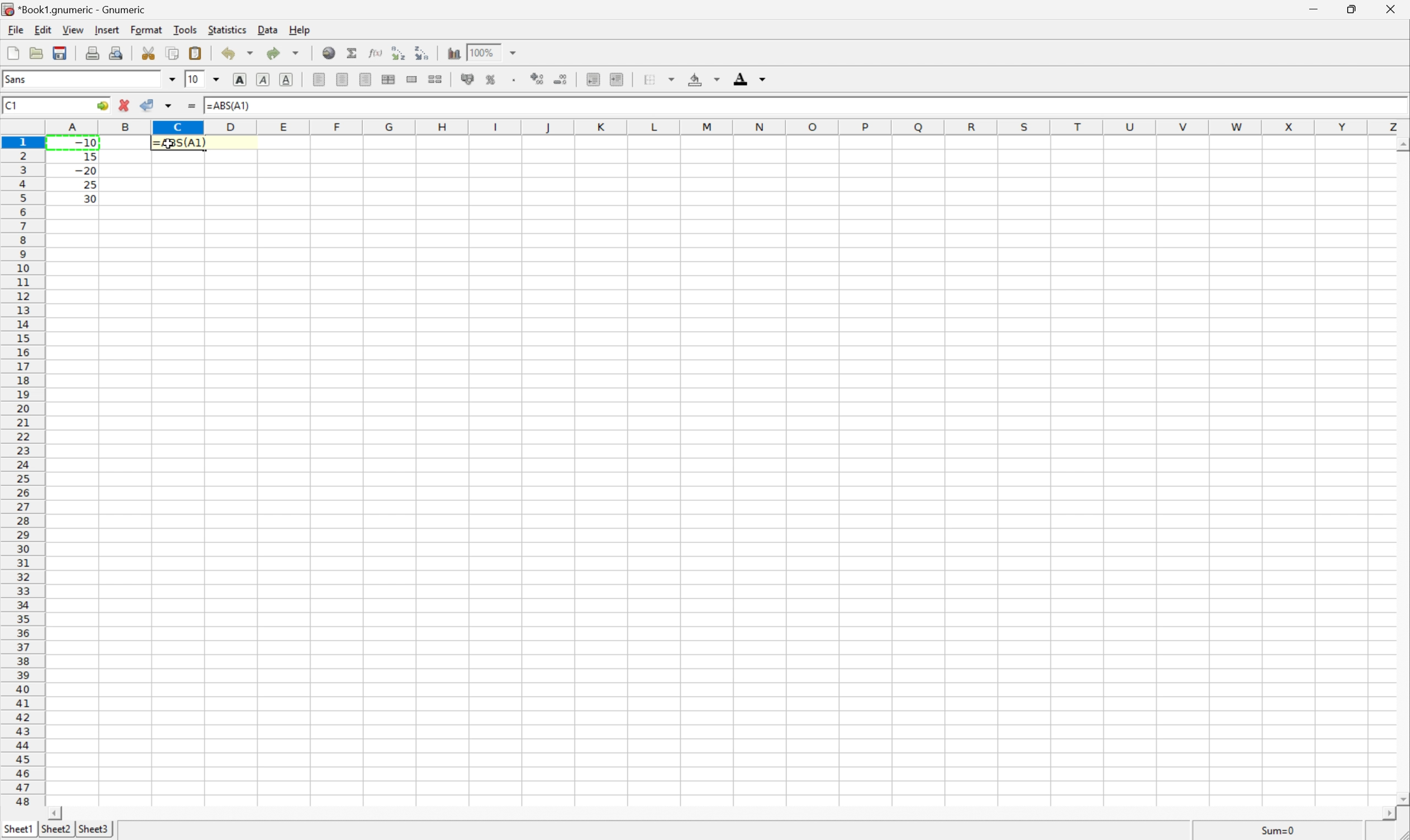 This screenshot has height=840, width=1410. Describe the element at coordinates (390, 80) in the screenshot. I see `center horizontally across the selection` at that location.